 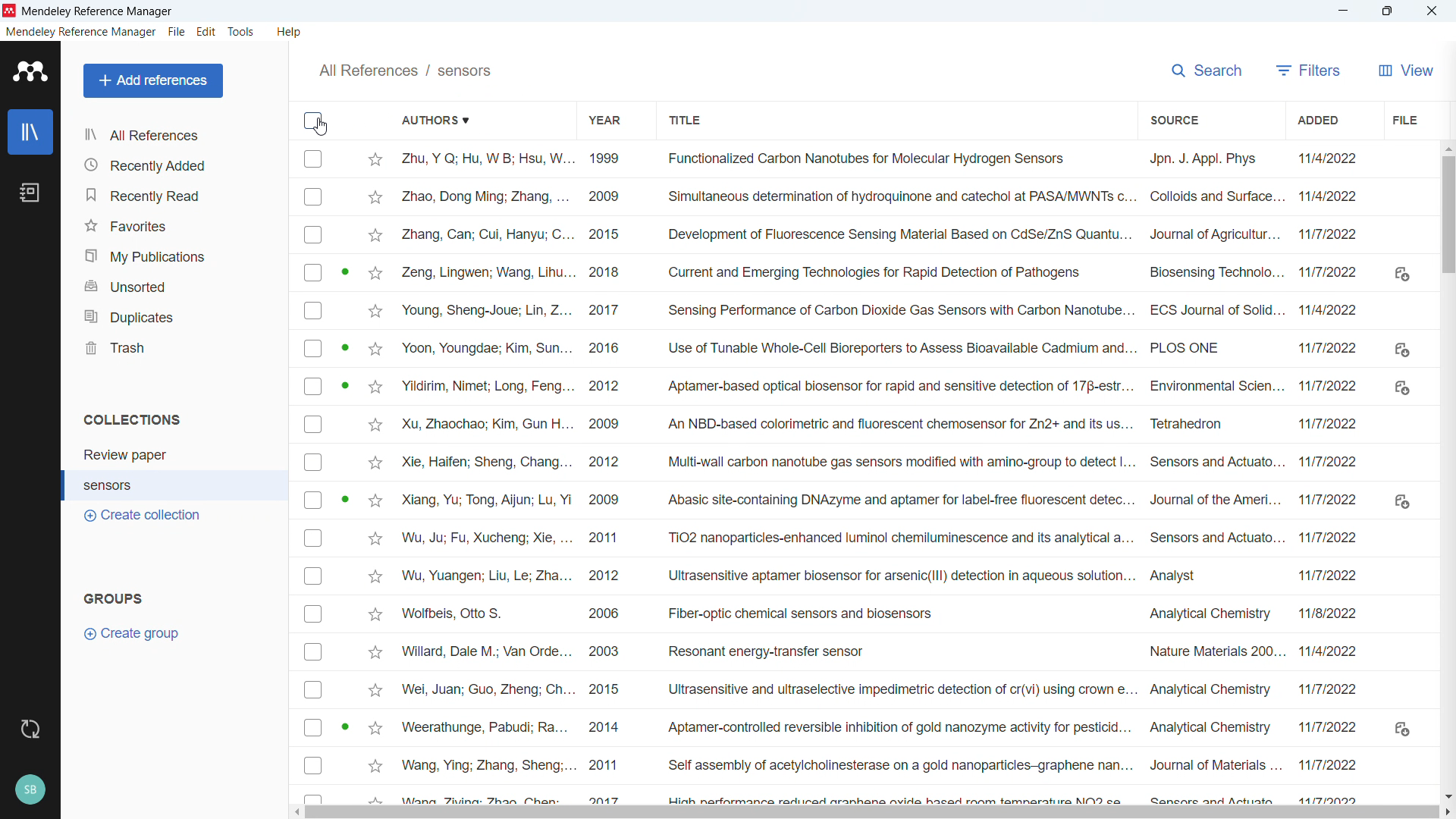 What do you see at coordinates (31, 131) in the screenshot?
I see `library` at bounding box center [31, 131].